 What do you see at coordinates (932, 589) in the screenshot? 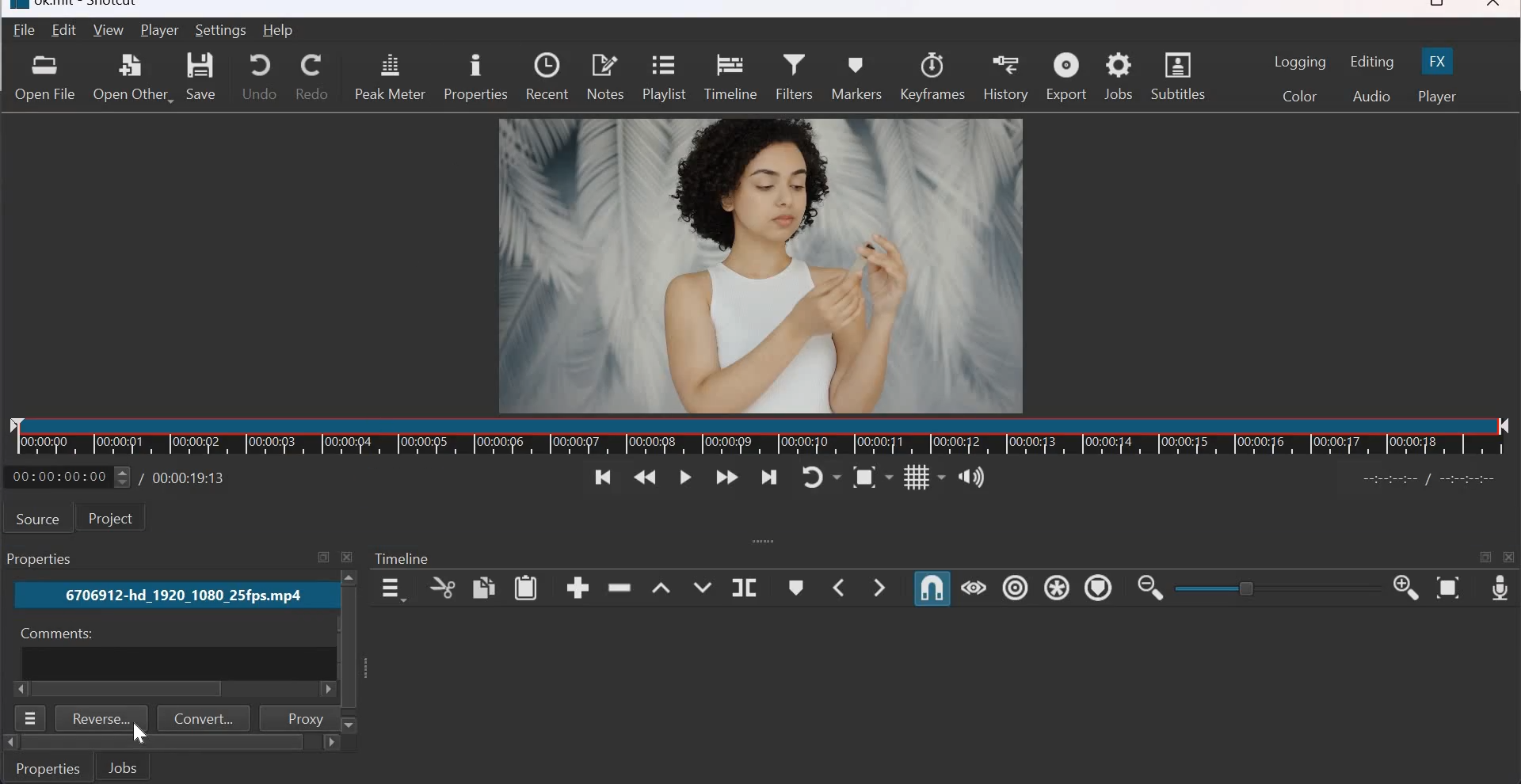
I see `Snap` at bounding box center [932, 589].